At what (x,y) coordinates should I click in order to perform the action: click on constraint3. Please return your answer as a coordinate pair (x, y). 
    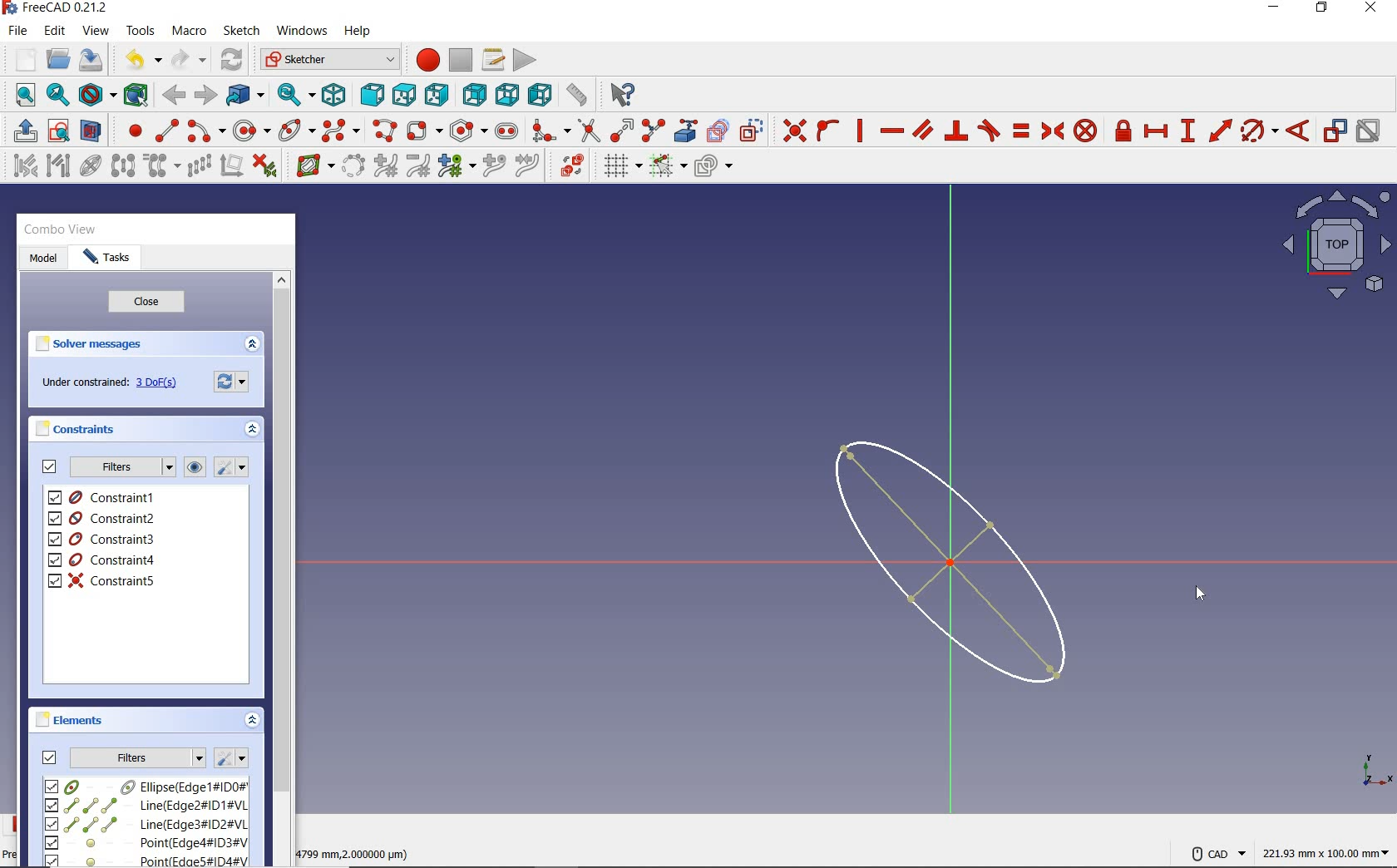
    Looking at the image, I should click on (103, 540).